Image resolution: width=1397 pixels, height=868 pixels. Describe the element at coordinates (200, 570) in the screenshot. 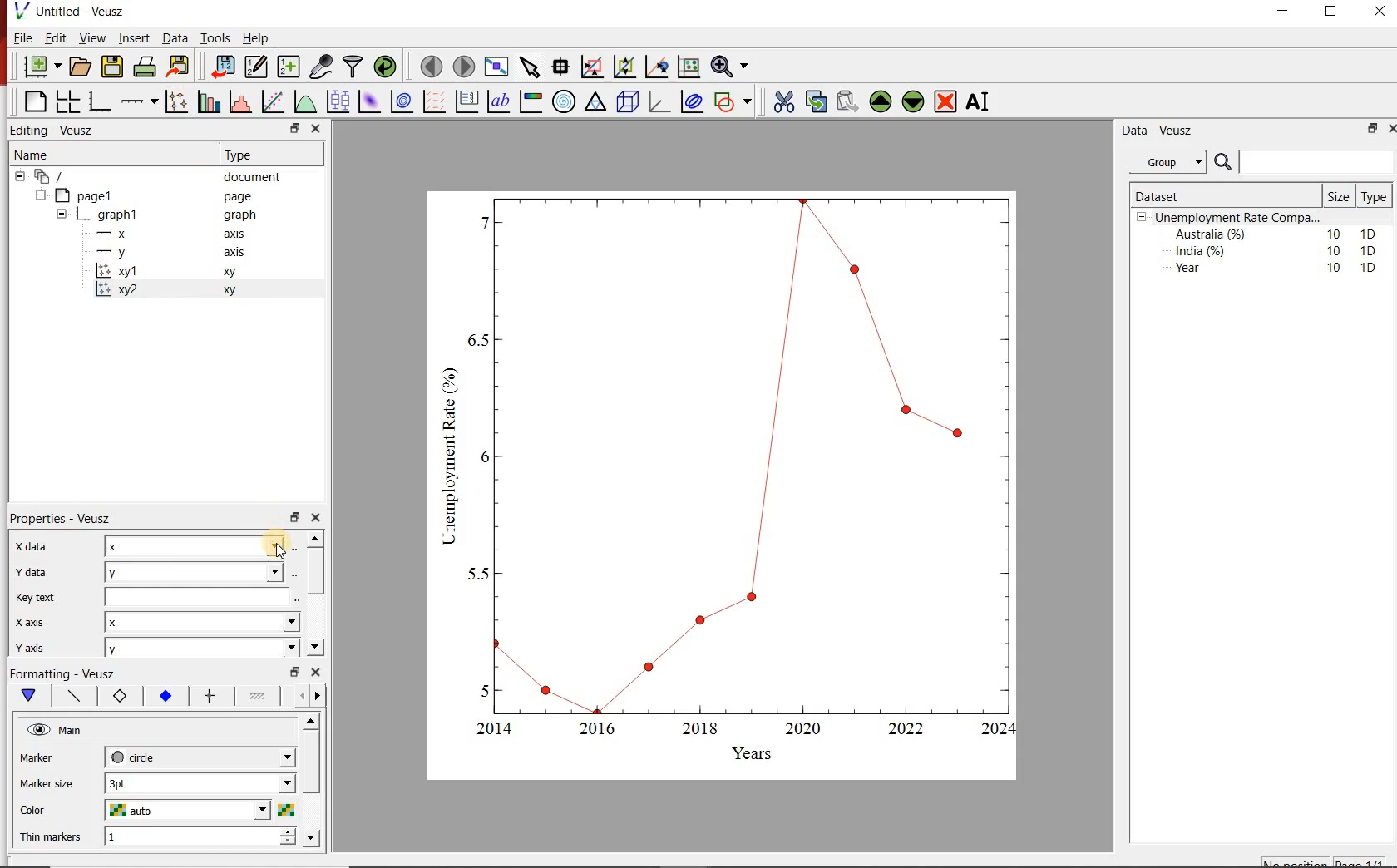

I see `y` at that location.